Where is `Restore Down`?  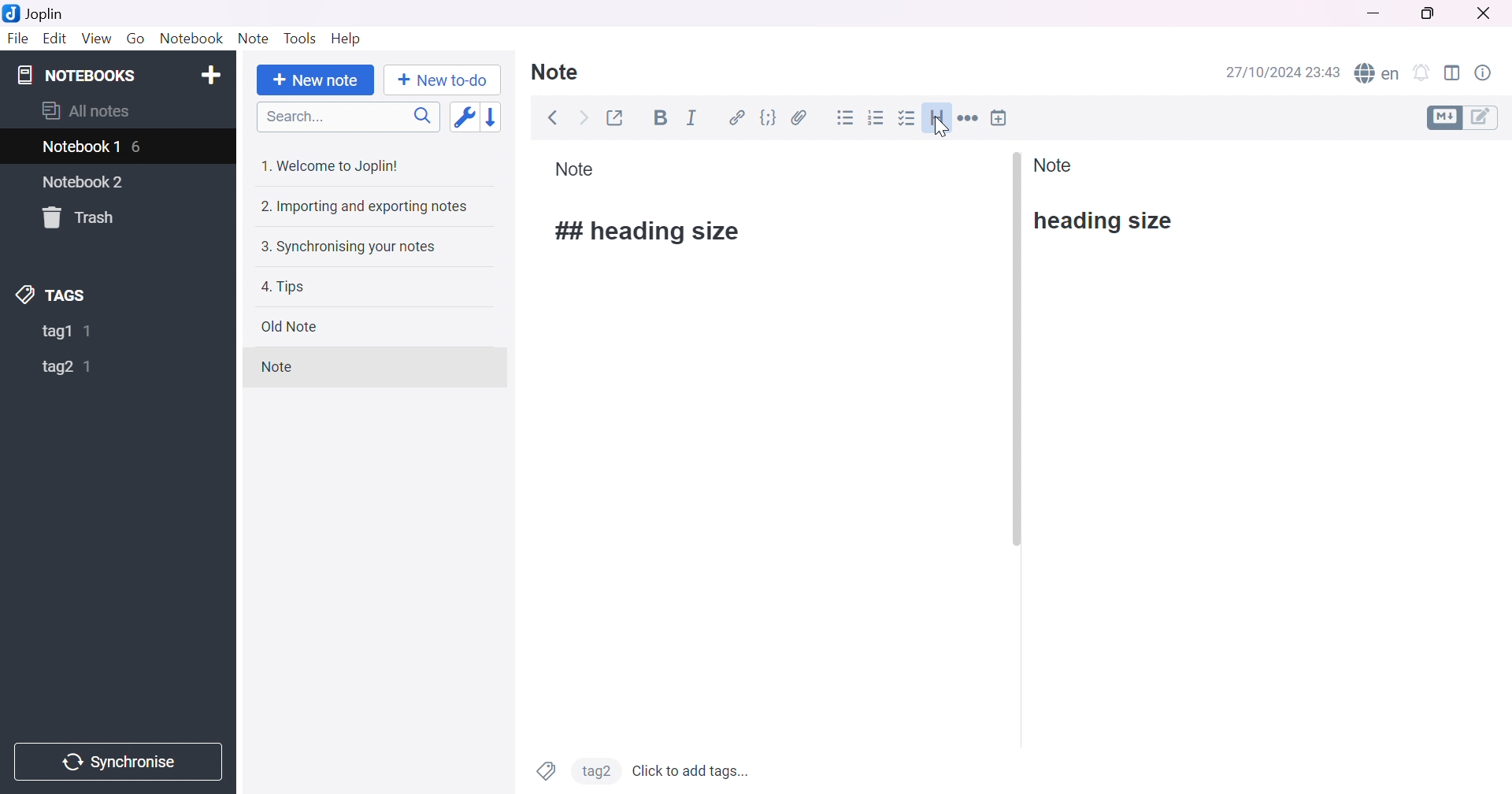 Restore Down is located at coordinates (1434, 13).